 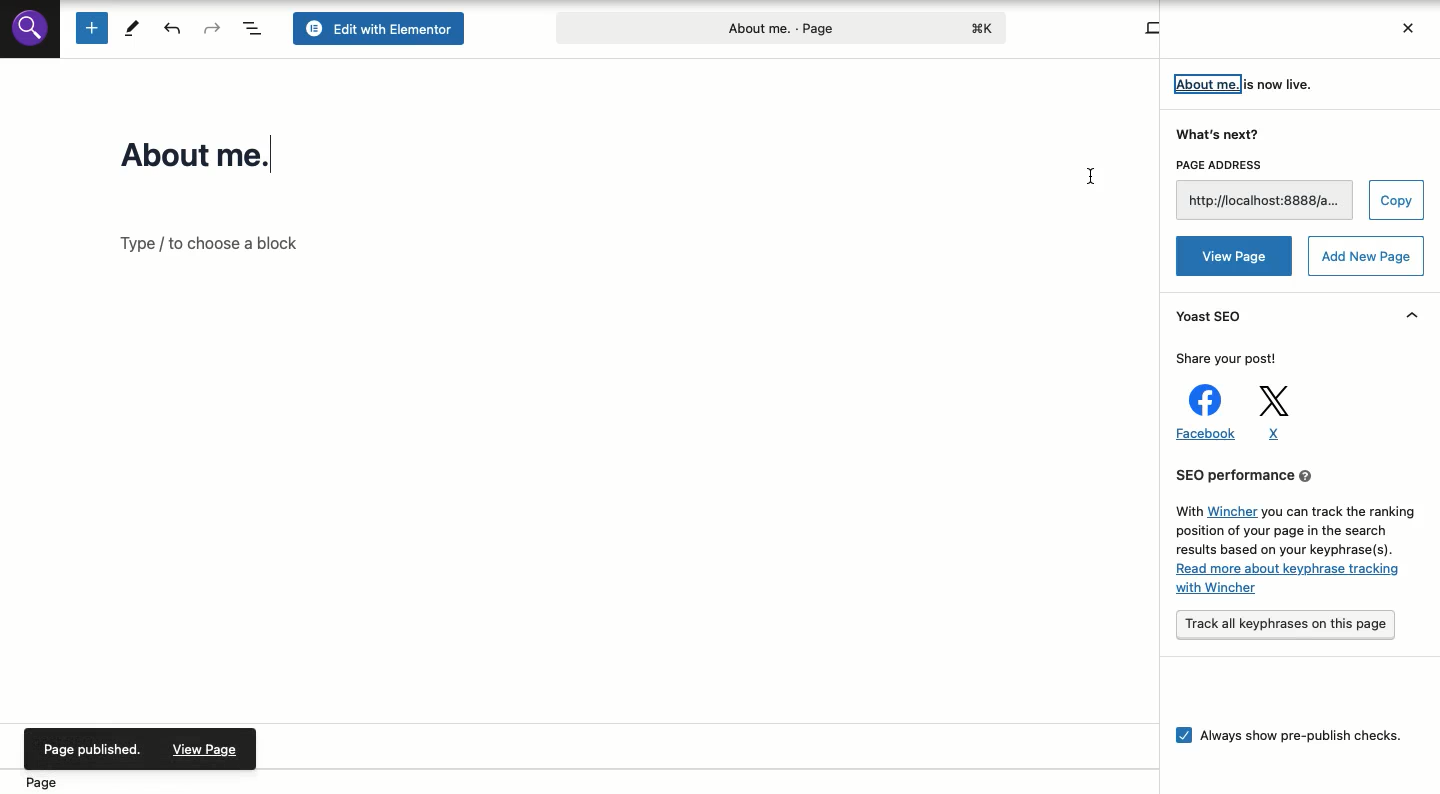 What do you see at coordinates (1245, 83) in the screenshot?
I see `About me is now live` at bounding box center [1245, 83].